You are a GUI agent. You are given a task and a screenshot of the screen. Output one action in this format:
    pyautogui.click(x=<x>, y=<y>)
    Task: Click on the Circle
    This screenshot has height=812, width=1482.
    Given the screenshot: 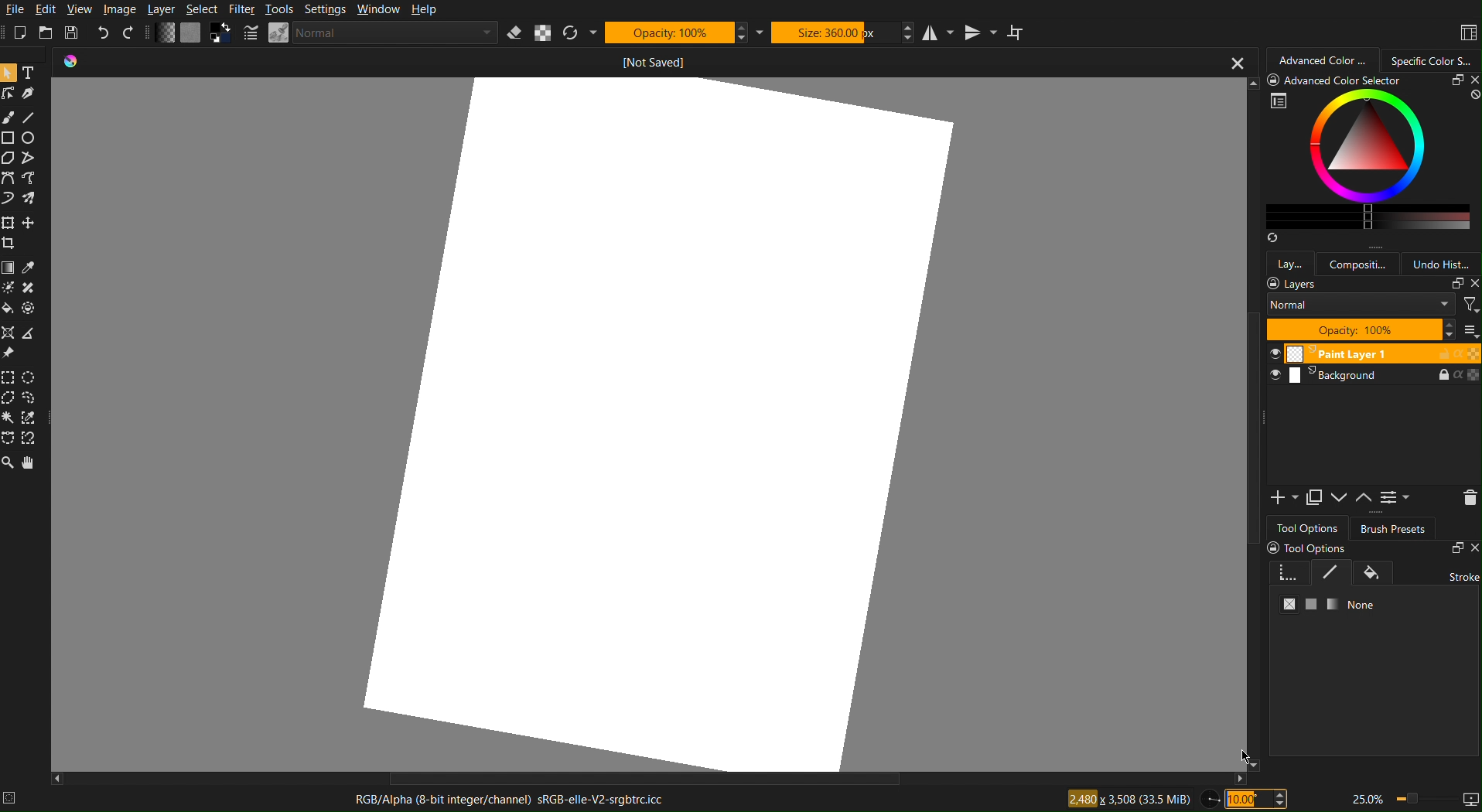 What is the action you would take?
    pyautogui.click(x=29, y=136)
    